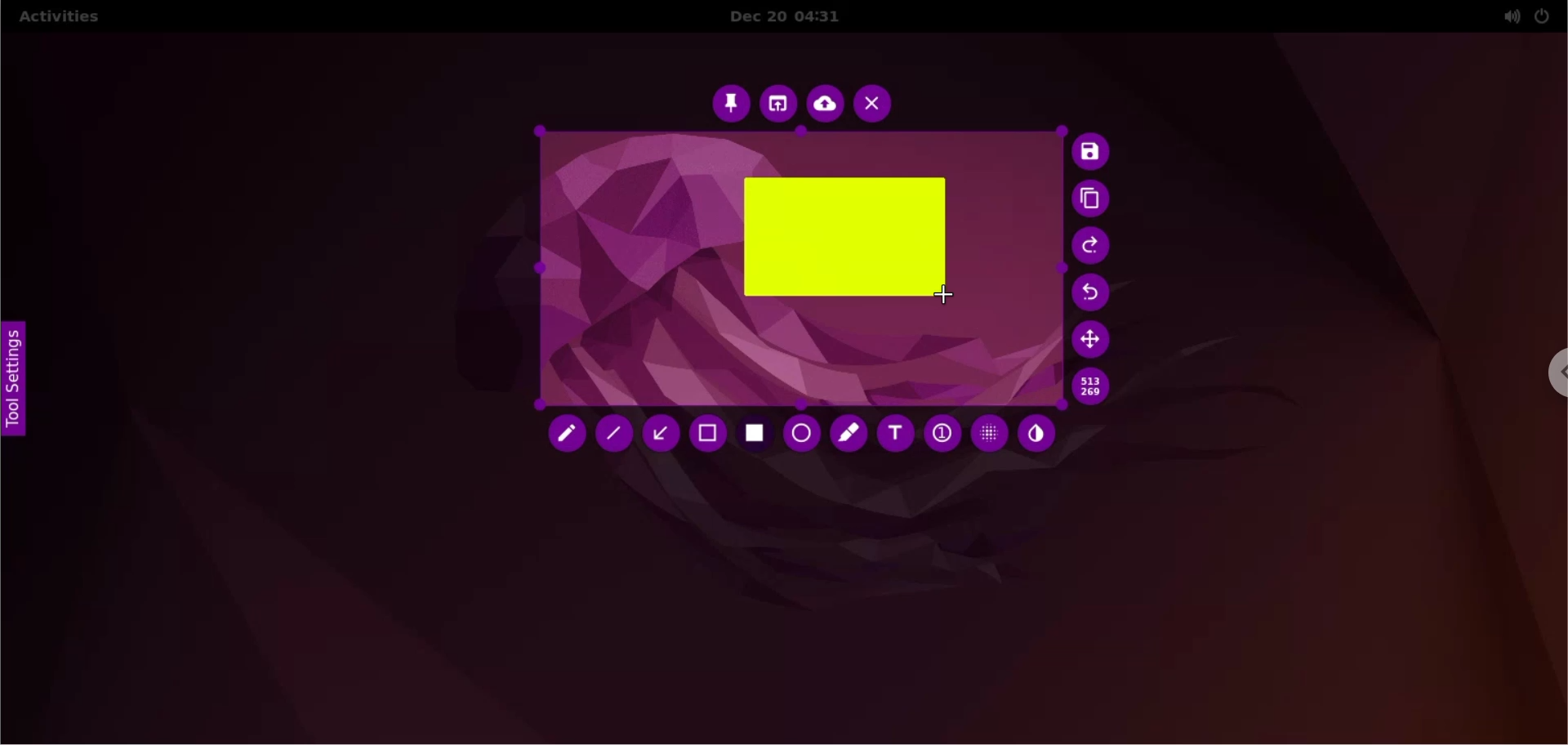  Describe the element at coordinates (1037, 433) in the screenshot. I see `inverter tool` at that location.